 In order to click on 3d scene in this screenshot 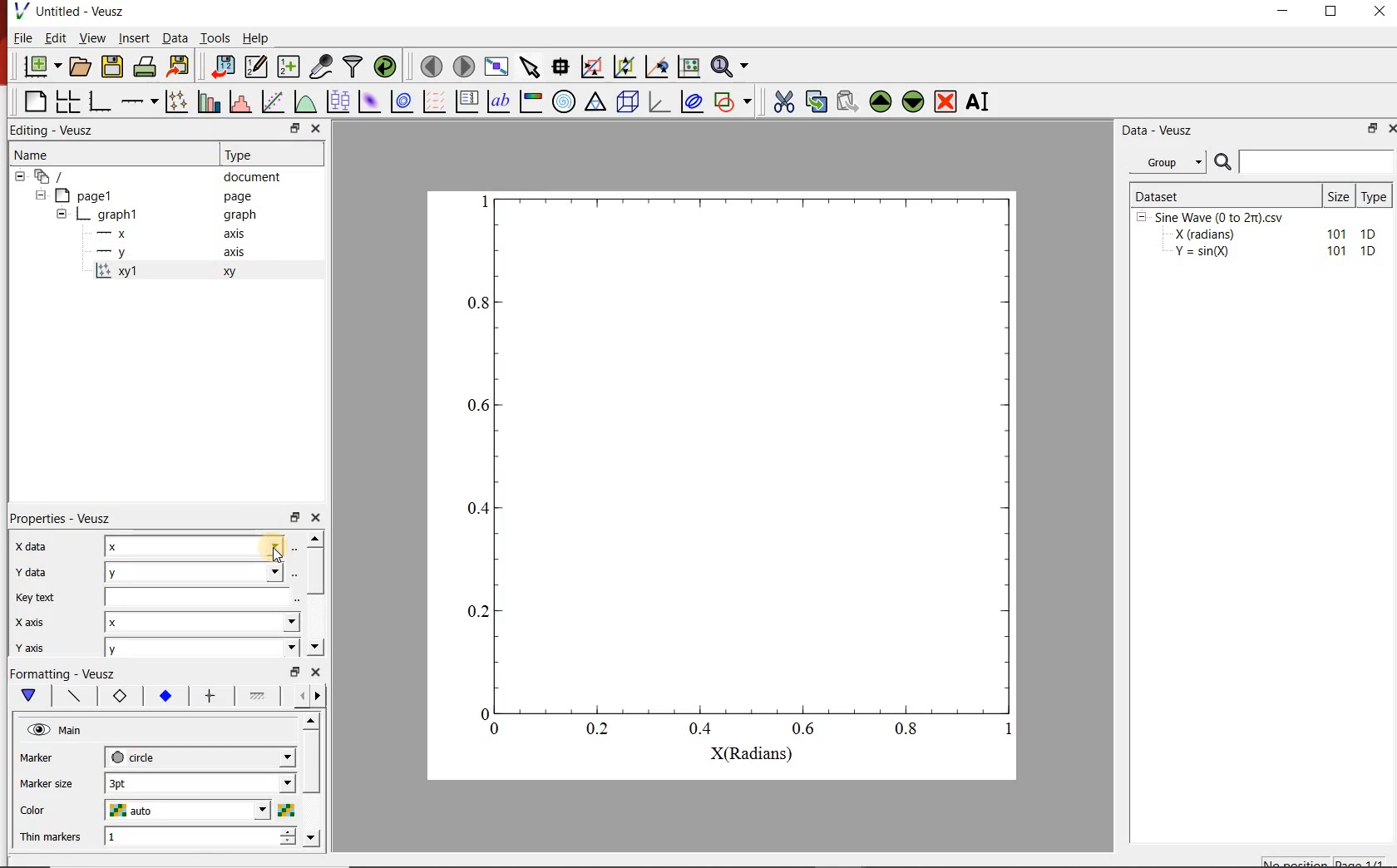, I will do `click(628, 101)`.